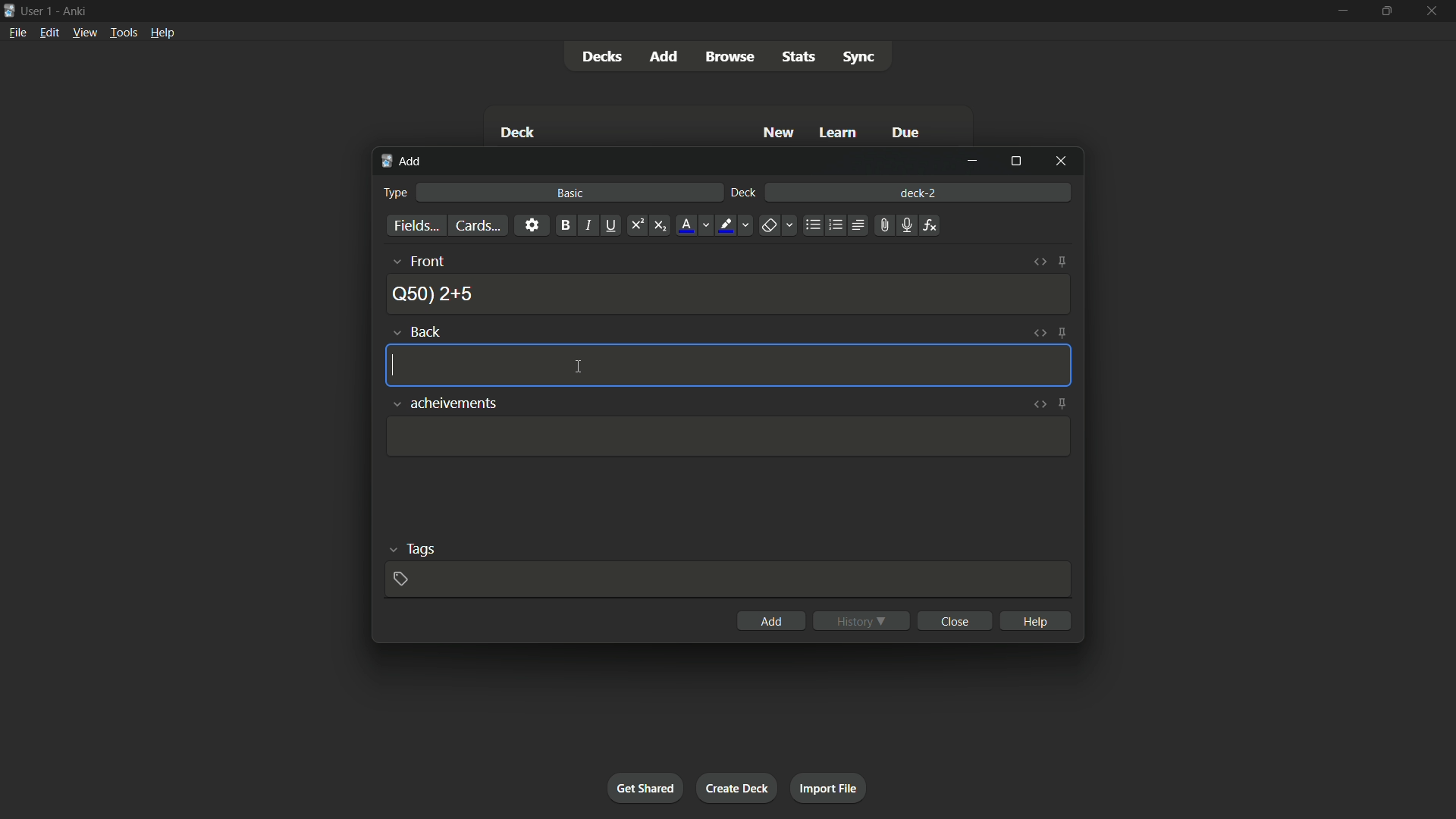 The width and height of the screenshot is (1456, 819). Describe the element at coordinates (479, 225) in the screenshot. I see `cards` at that location.